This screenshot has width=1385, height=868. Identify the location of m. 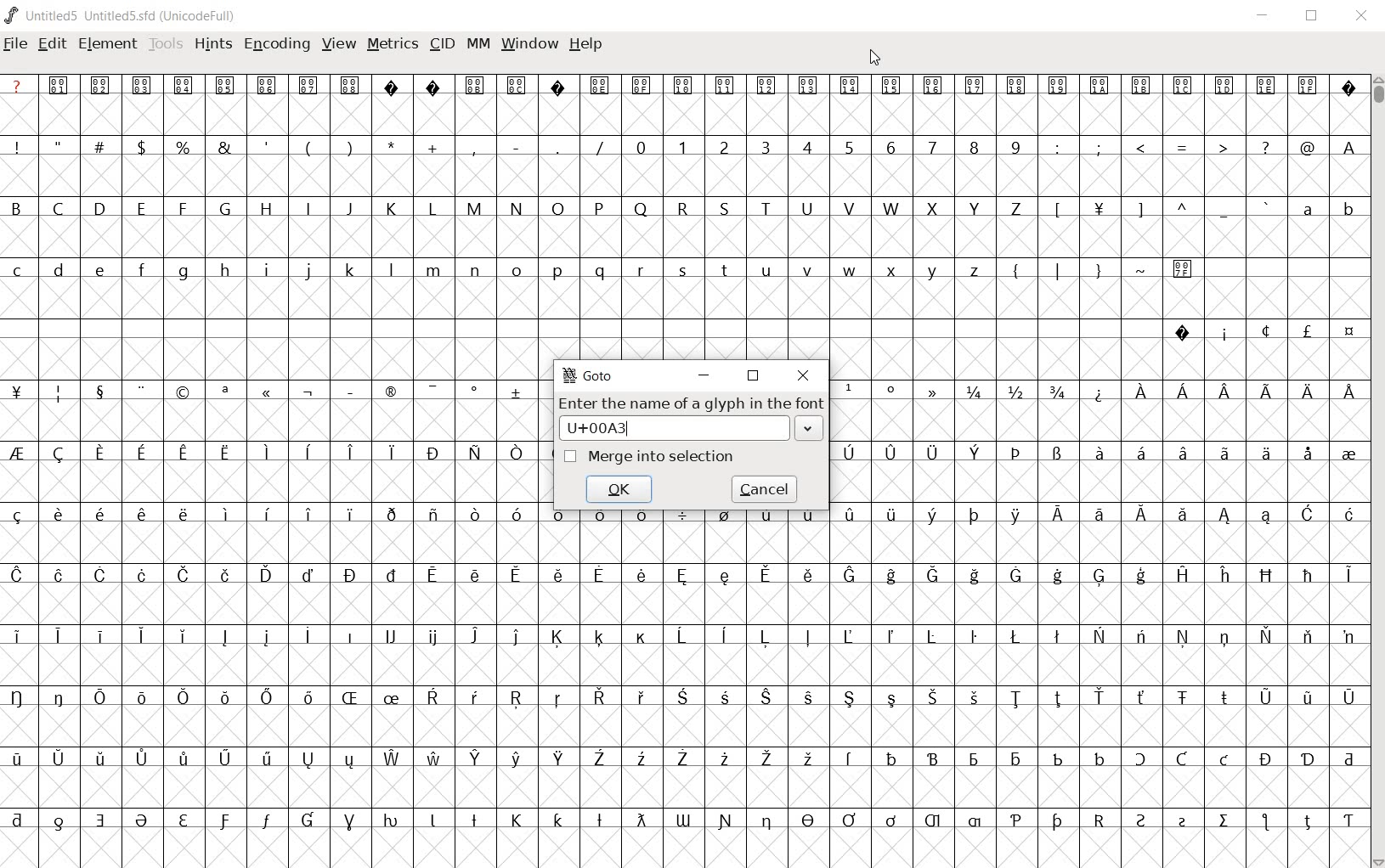
(433, 270).